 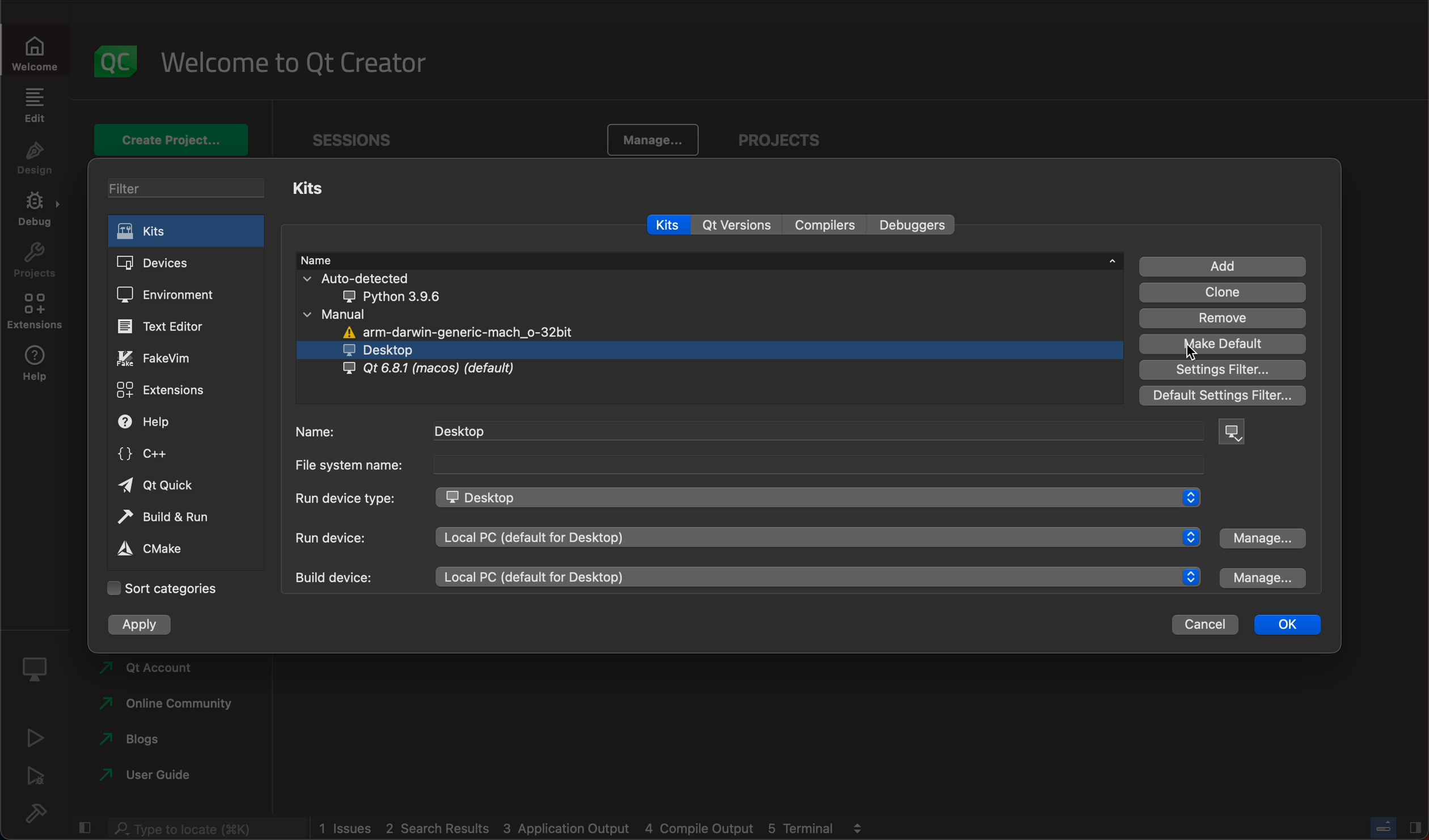 I want to click on Qt account, so click(x=158, y=672).